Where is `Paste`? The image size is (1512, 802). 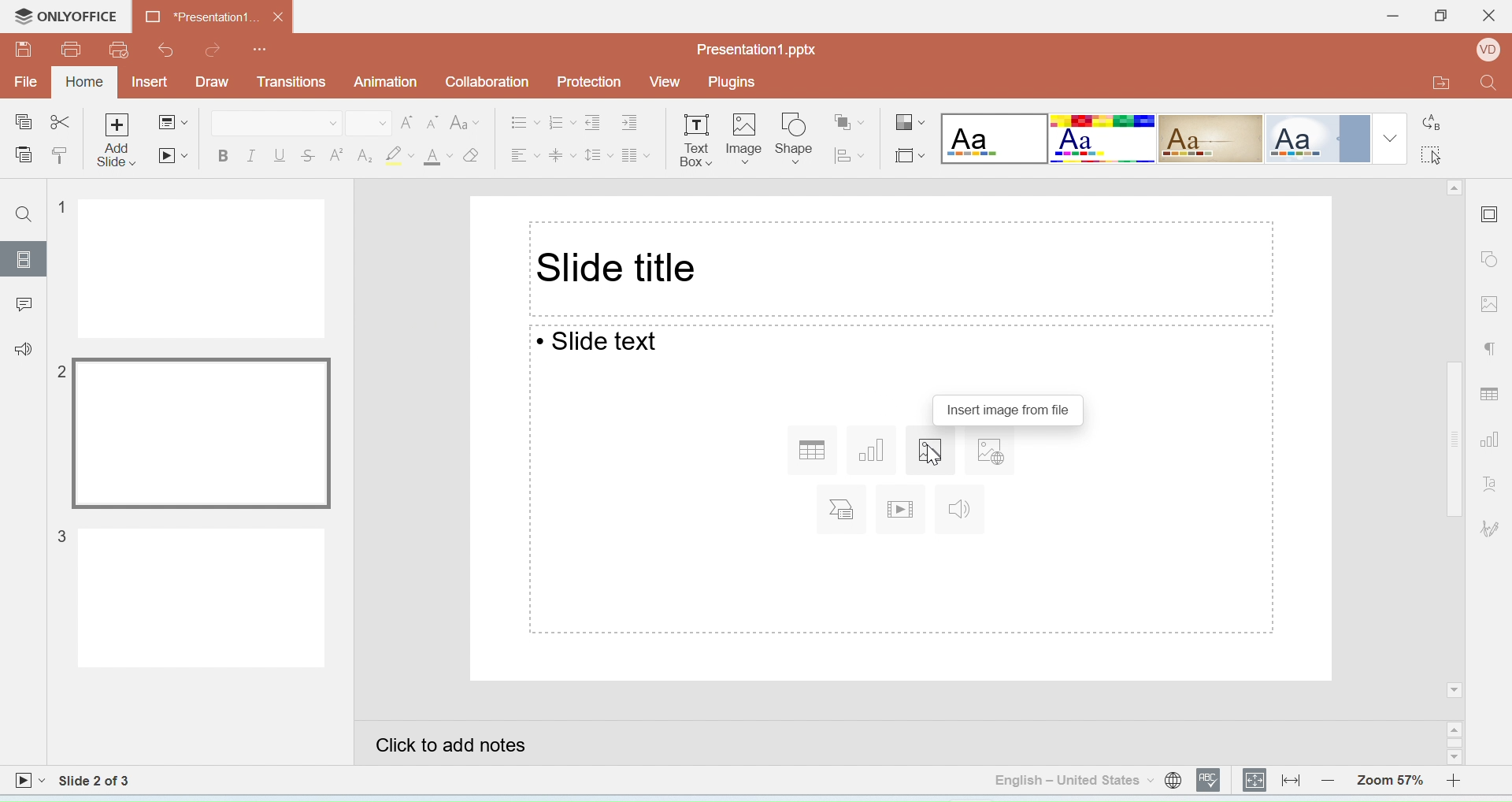
Paste is located at coordinates (23, 156).